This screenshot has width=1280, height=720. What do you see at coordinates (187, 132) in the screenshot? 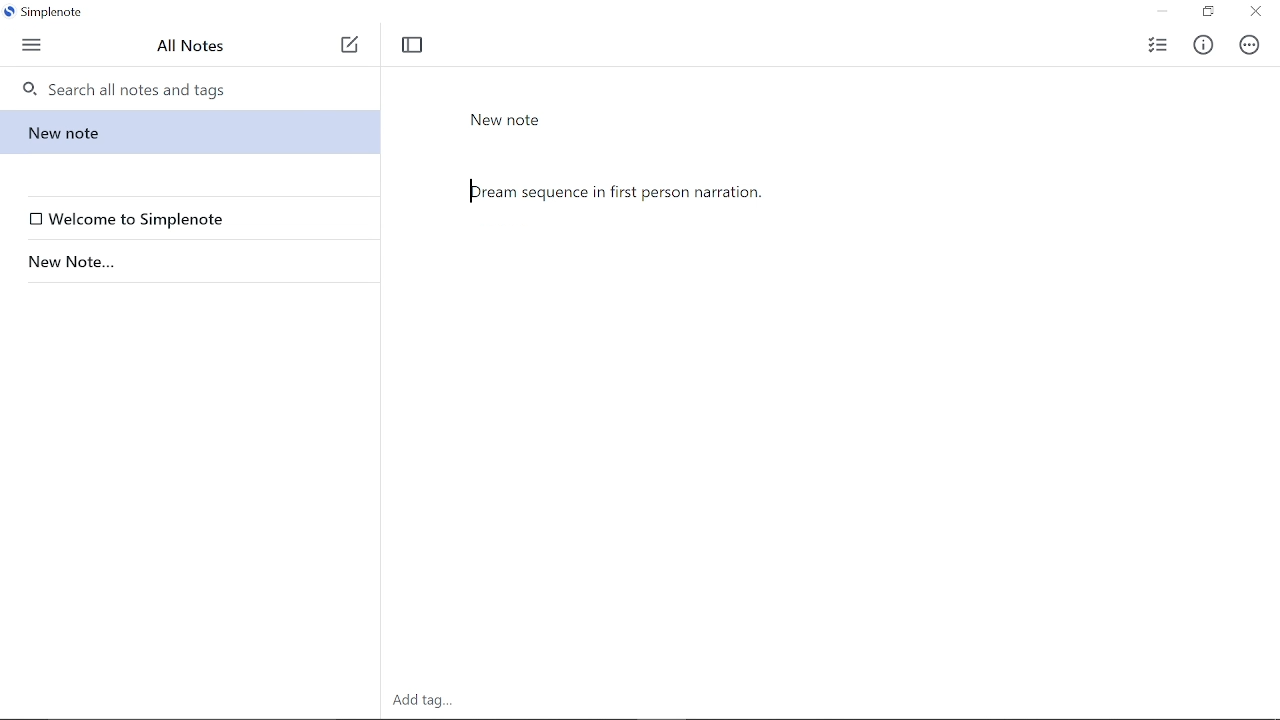
I see `New note` at bounding box center [187, 132].